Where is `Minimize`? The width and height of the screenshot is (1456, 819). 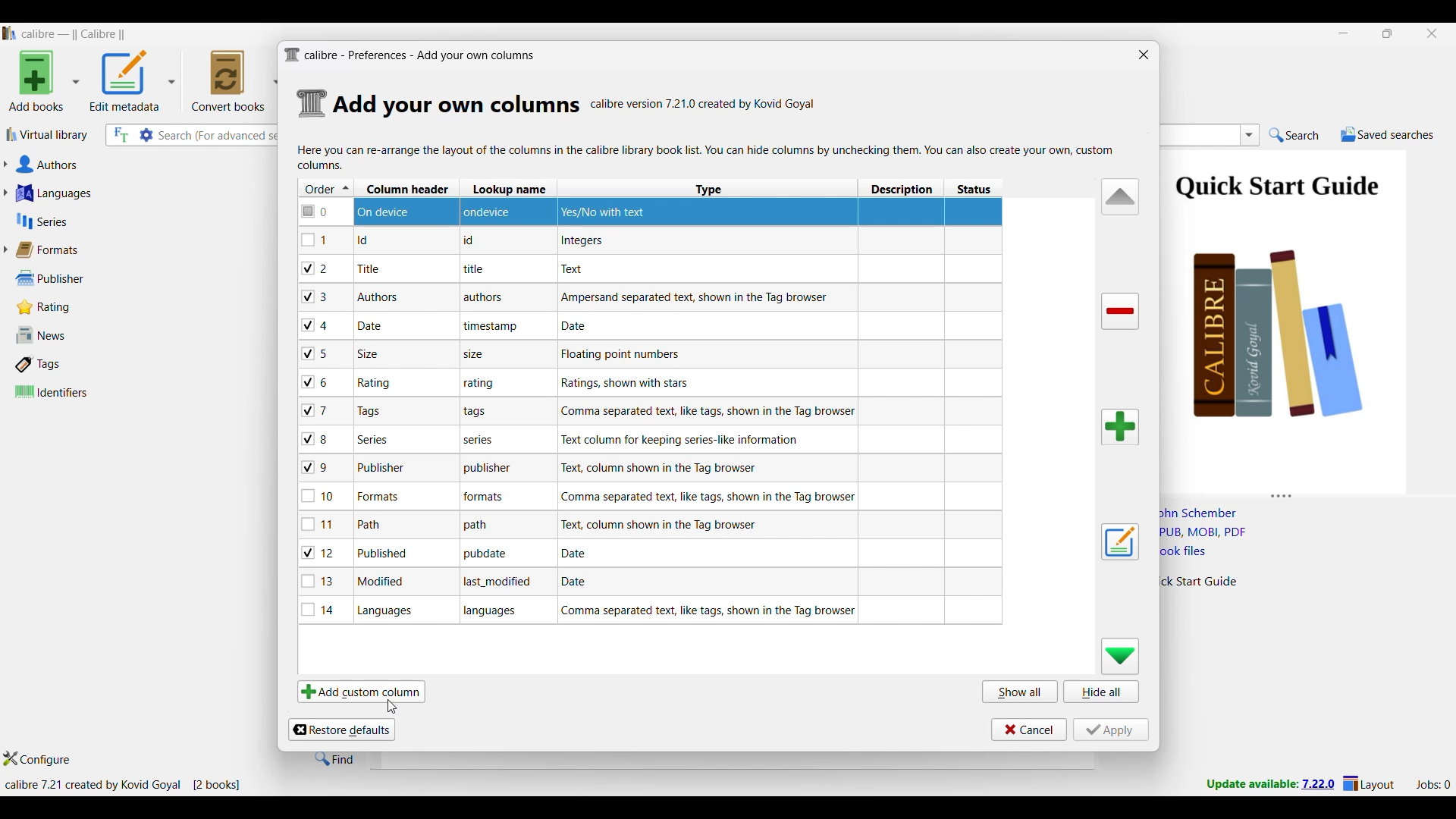 Minimize is located at coordinates (1344, 33).